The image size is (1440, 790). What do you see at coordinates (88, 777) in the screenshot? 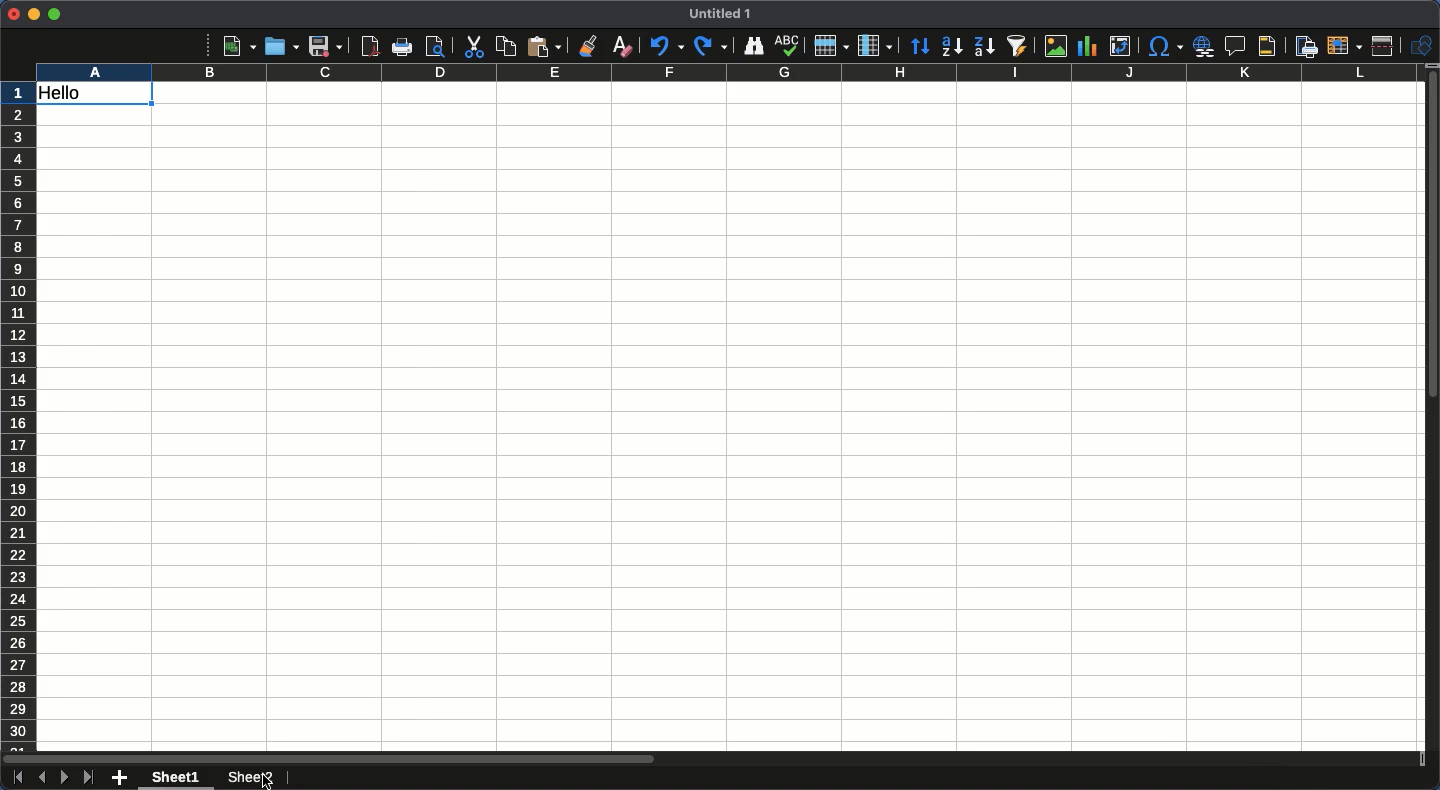
I see `Last sheet` at bounding box center [88, 777].